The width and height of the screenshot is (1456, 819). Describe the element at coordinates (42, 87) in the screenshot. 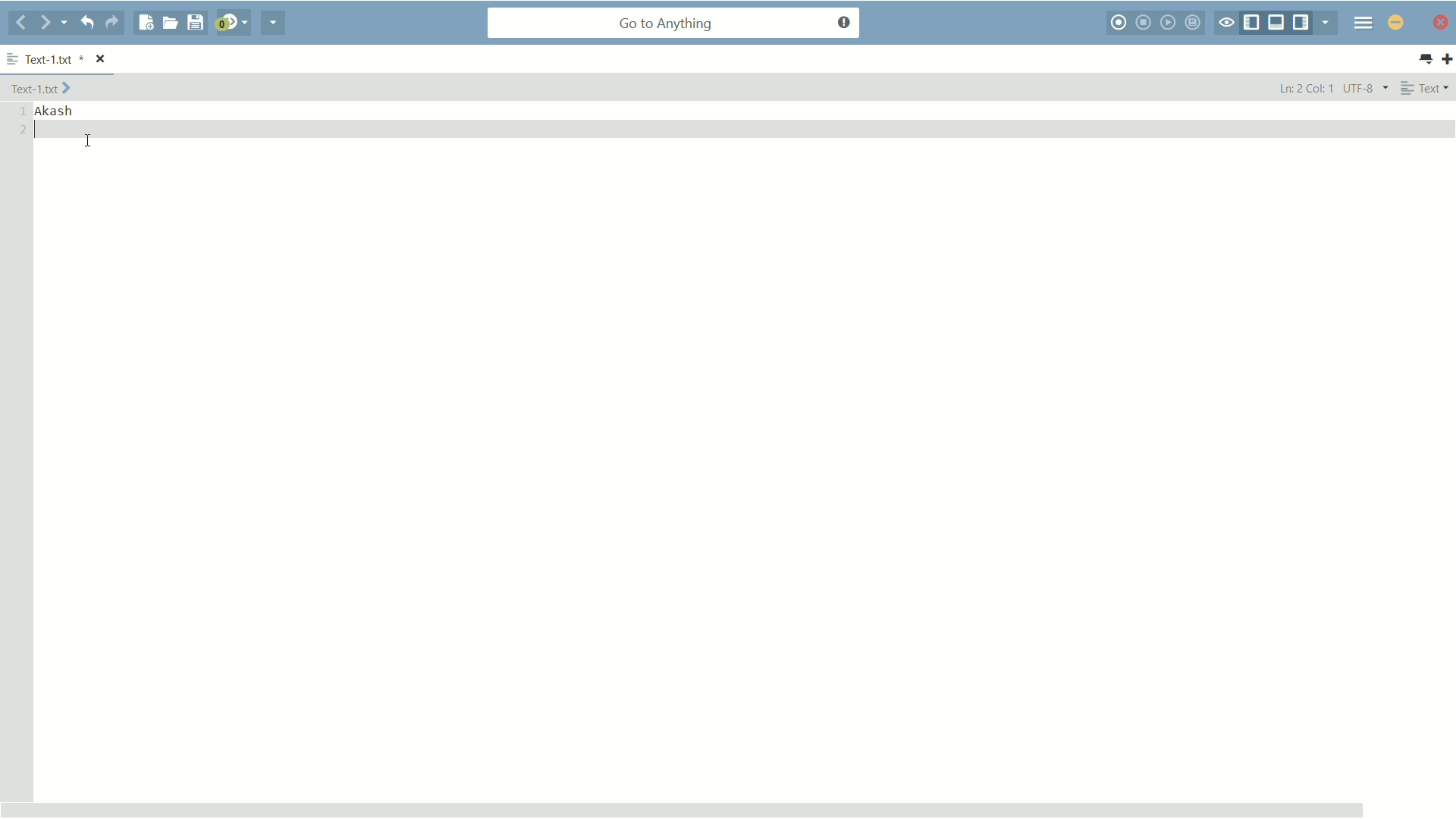

I see `text-1 File` at that location.